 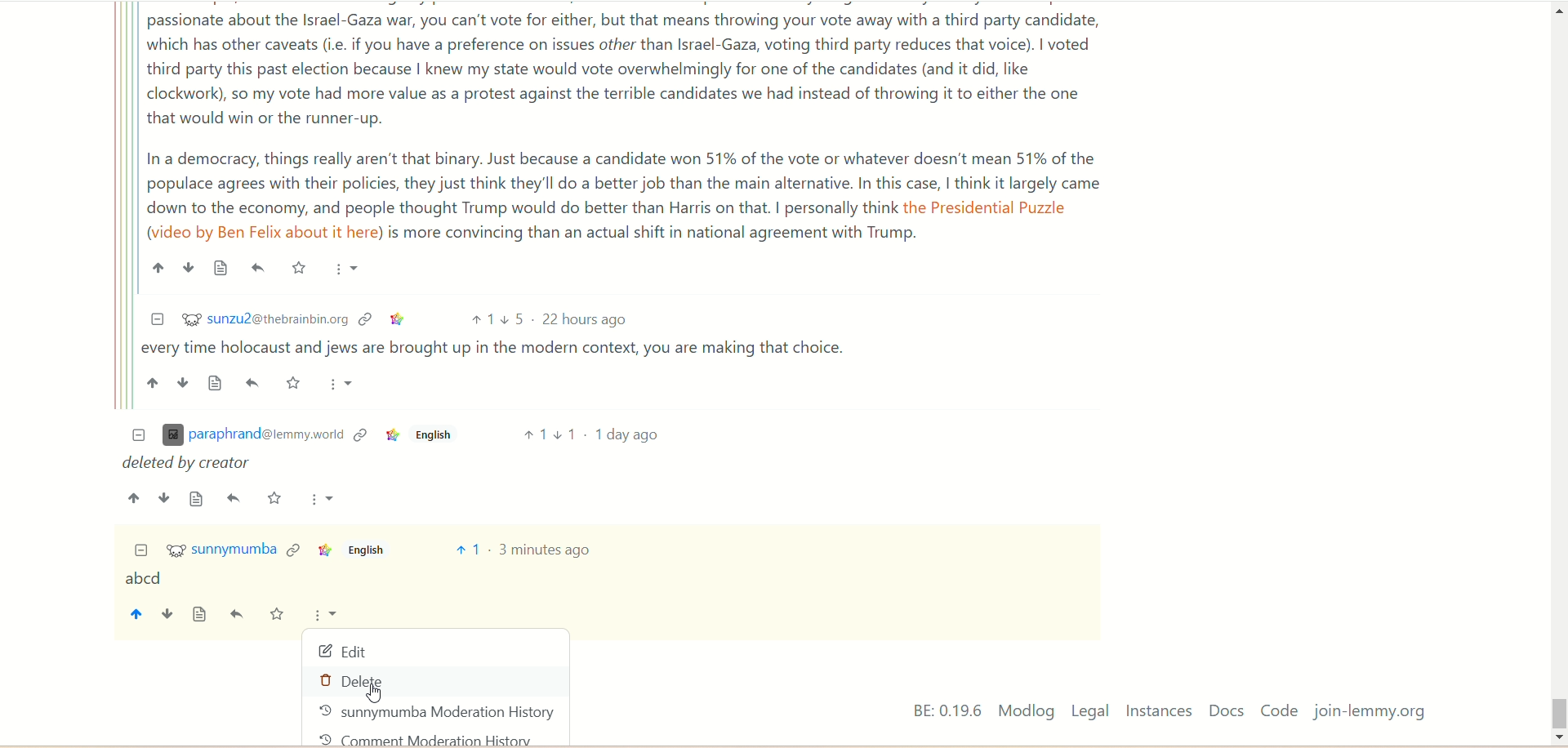 I want to click on Starred, so click(x=298, y=267).